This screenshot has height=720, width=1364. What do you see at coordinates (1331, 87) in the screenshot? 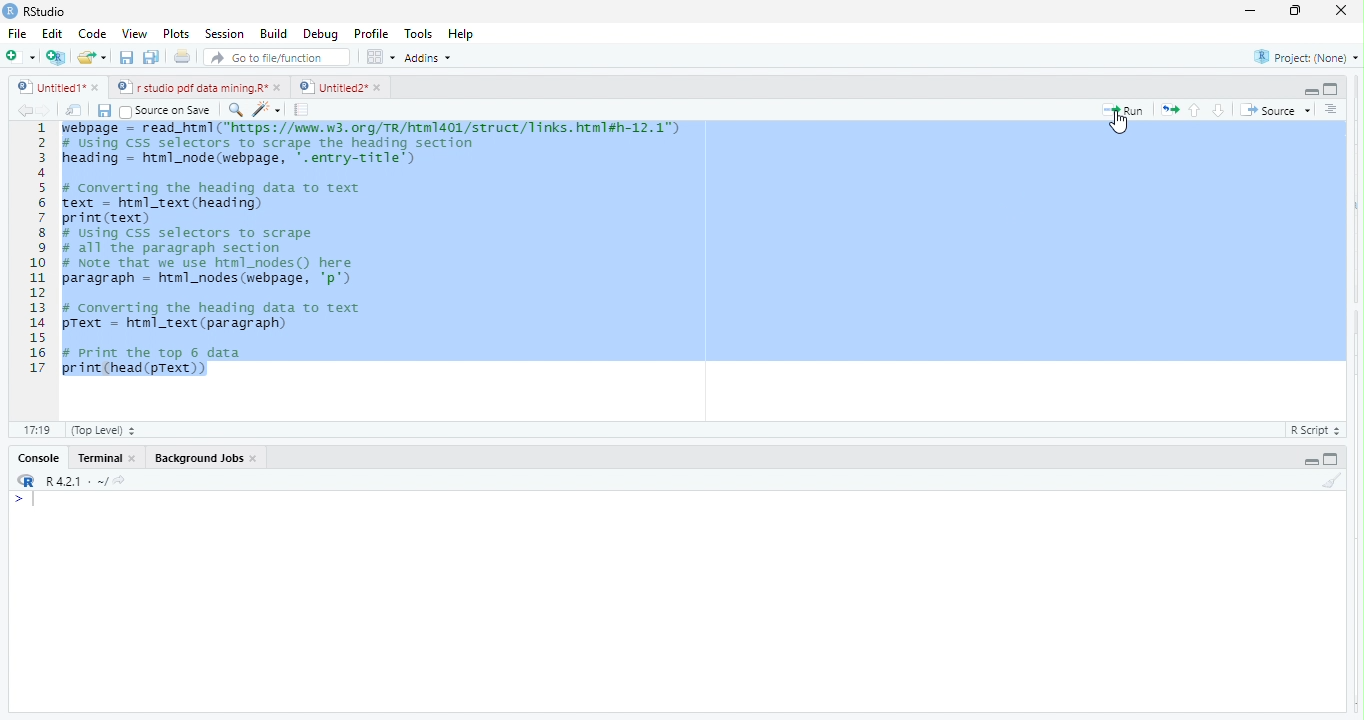
I see `hide console` at bounding box center [1331, 87].